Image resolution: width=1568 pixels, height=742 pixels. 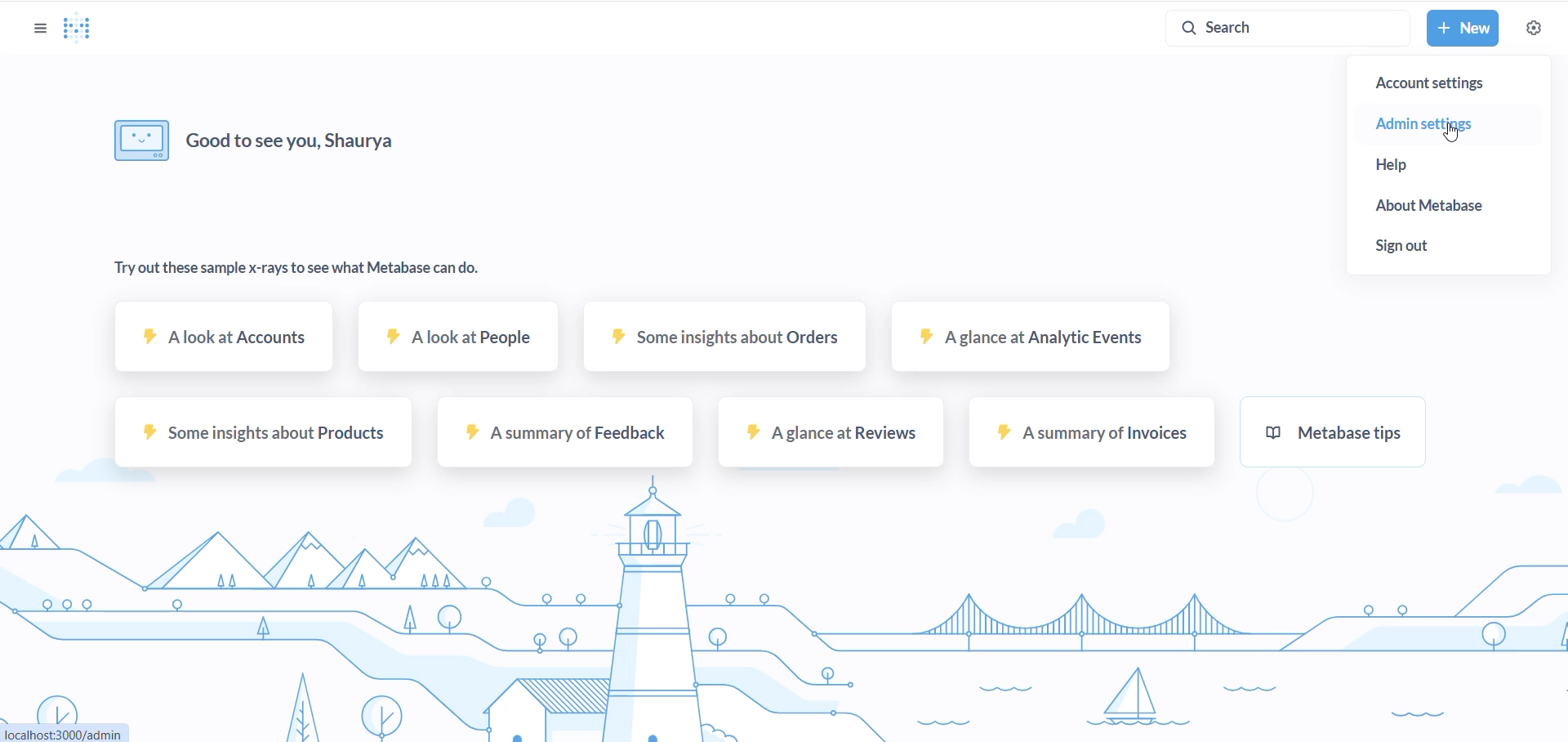 I want to click on sign out, so click(x=1419, y=247).